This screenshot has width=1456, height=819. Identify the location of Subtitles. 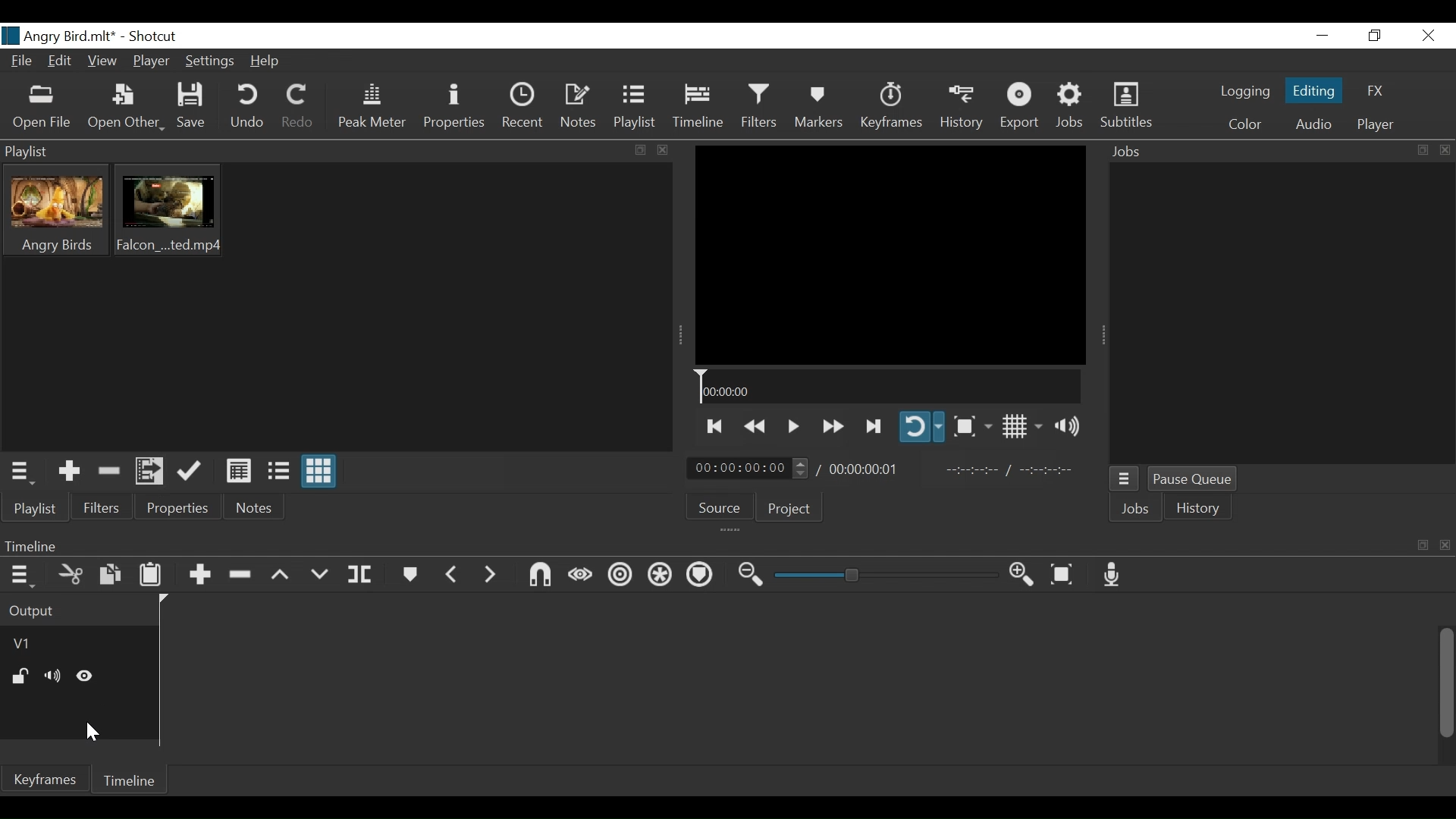
(1127, 107).